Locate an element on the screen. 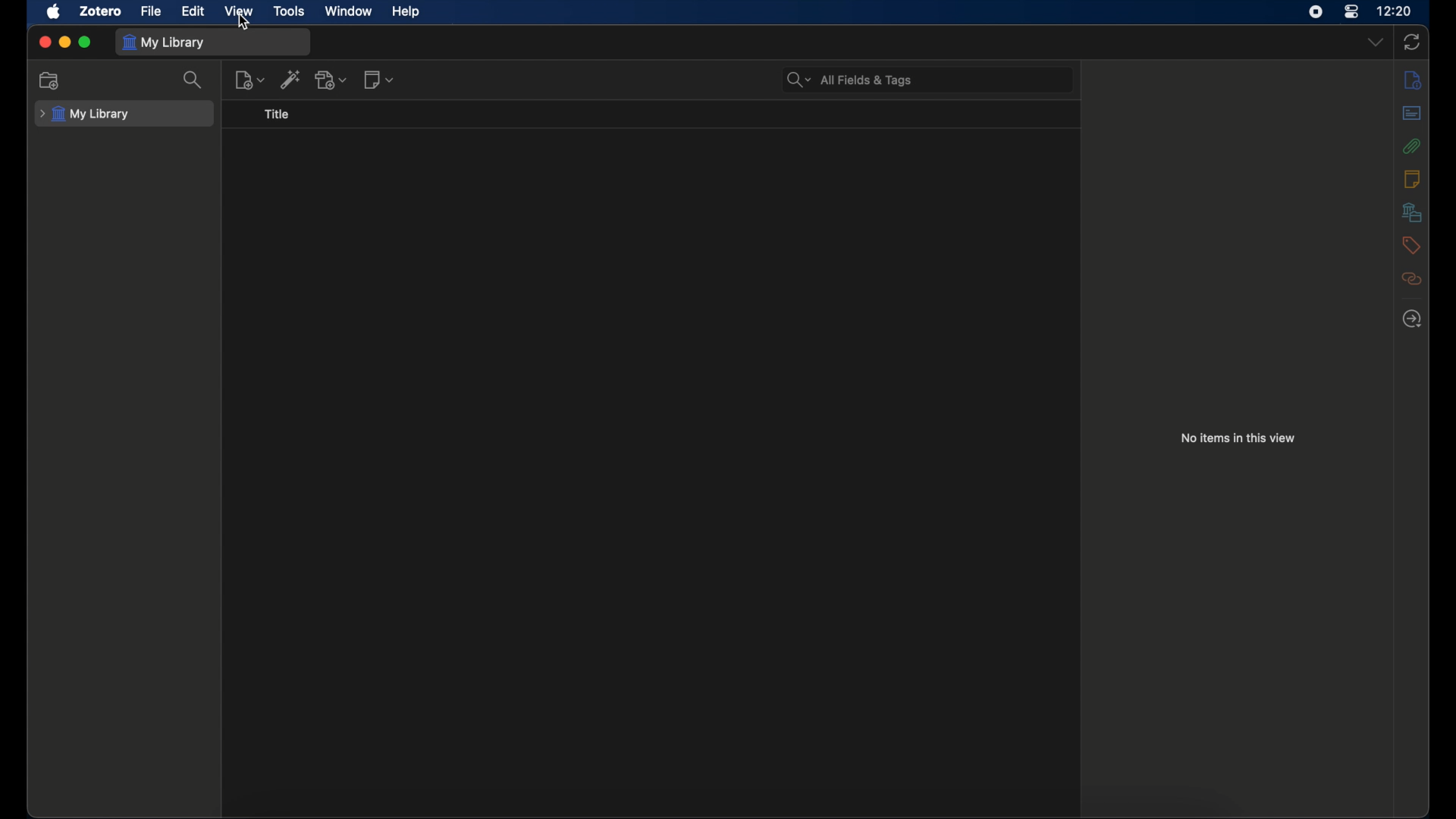 The height and width of the screenshot is (819, 1456). abstract is located at coordinates (1411, 114).